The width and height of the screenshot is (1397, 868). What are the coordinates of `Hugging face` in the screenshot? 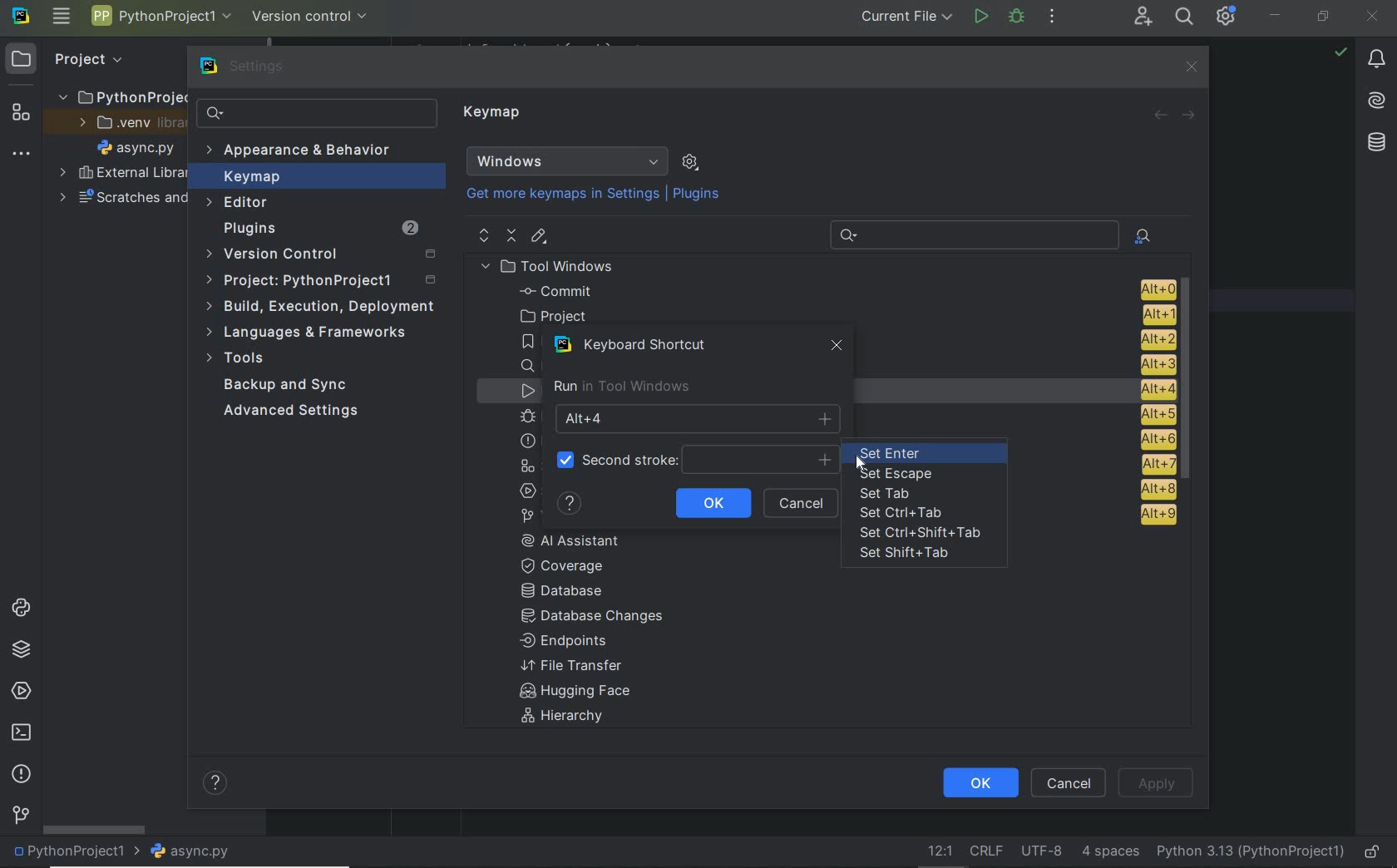 It's located at (570, 693).